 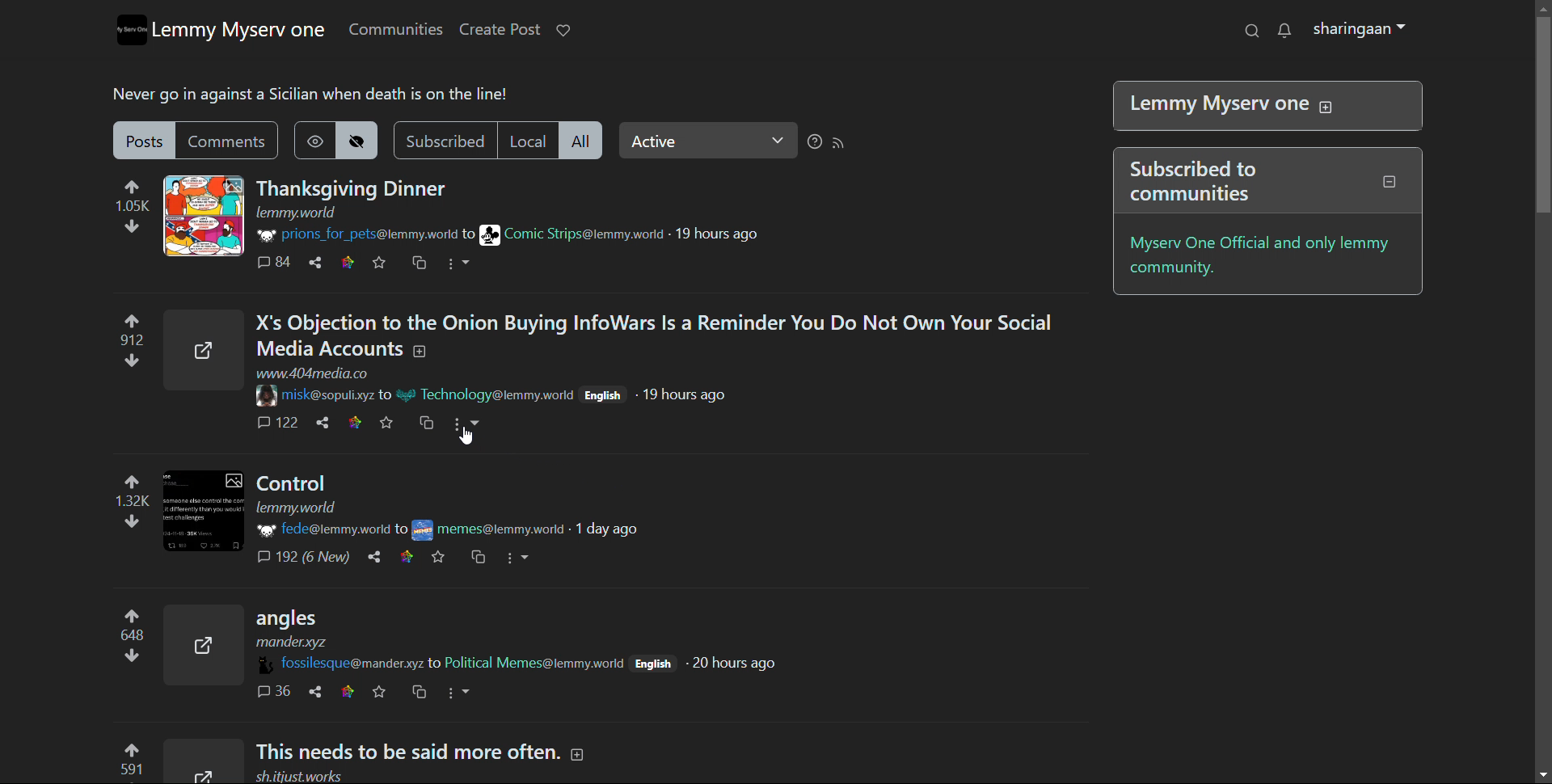 I want to click on community, so click(x=533, y=663).